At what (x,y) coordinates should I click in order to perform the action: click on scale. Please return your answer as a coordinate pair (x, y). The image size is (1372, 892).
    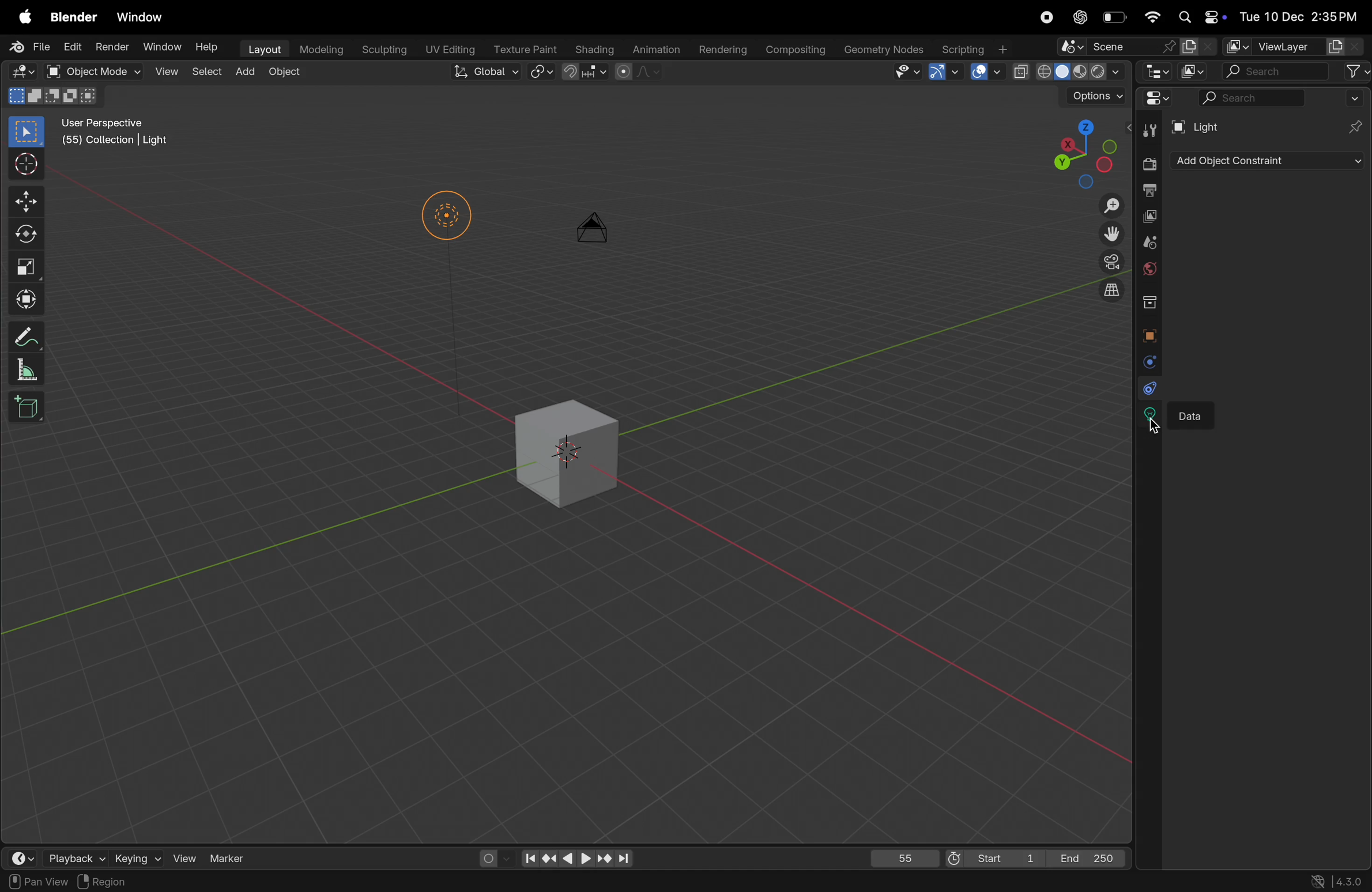
    Looking at the image, I should click on (31, 269).